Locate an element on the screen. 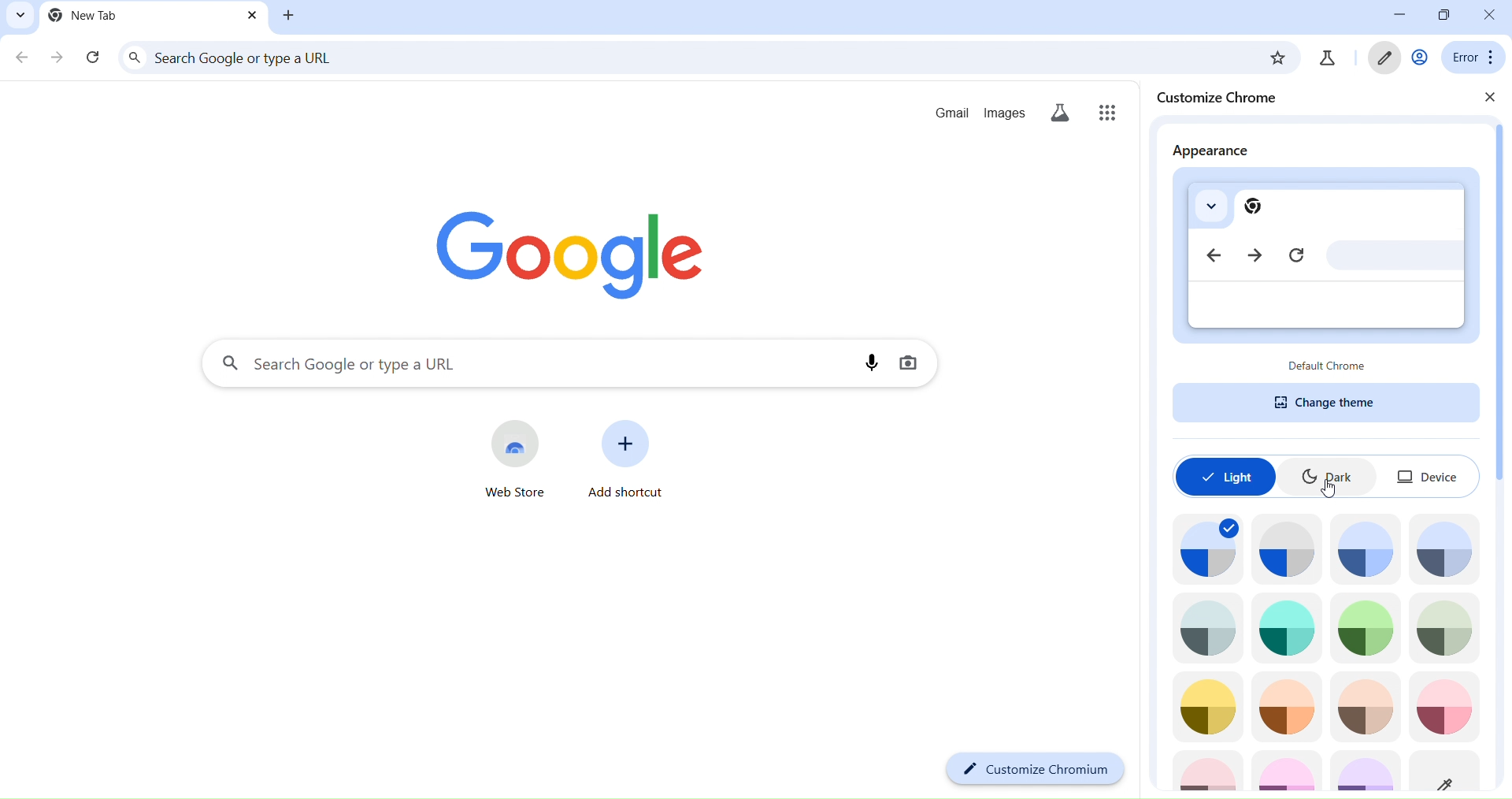  voice search is located at coordinates (871, 362).